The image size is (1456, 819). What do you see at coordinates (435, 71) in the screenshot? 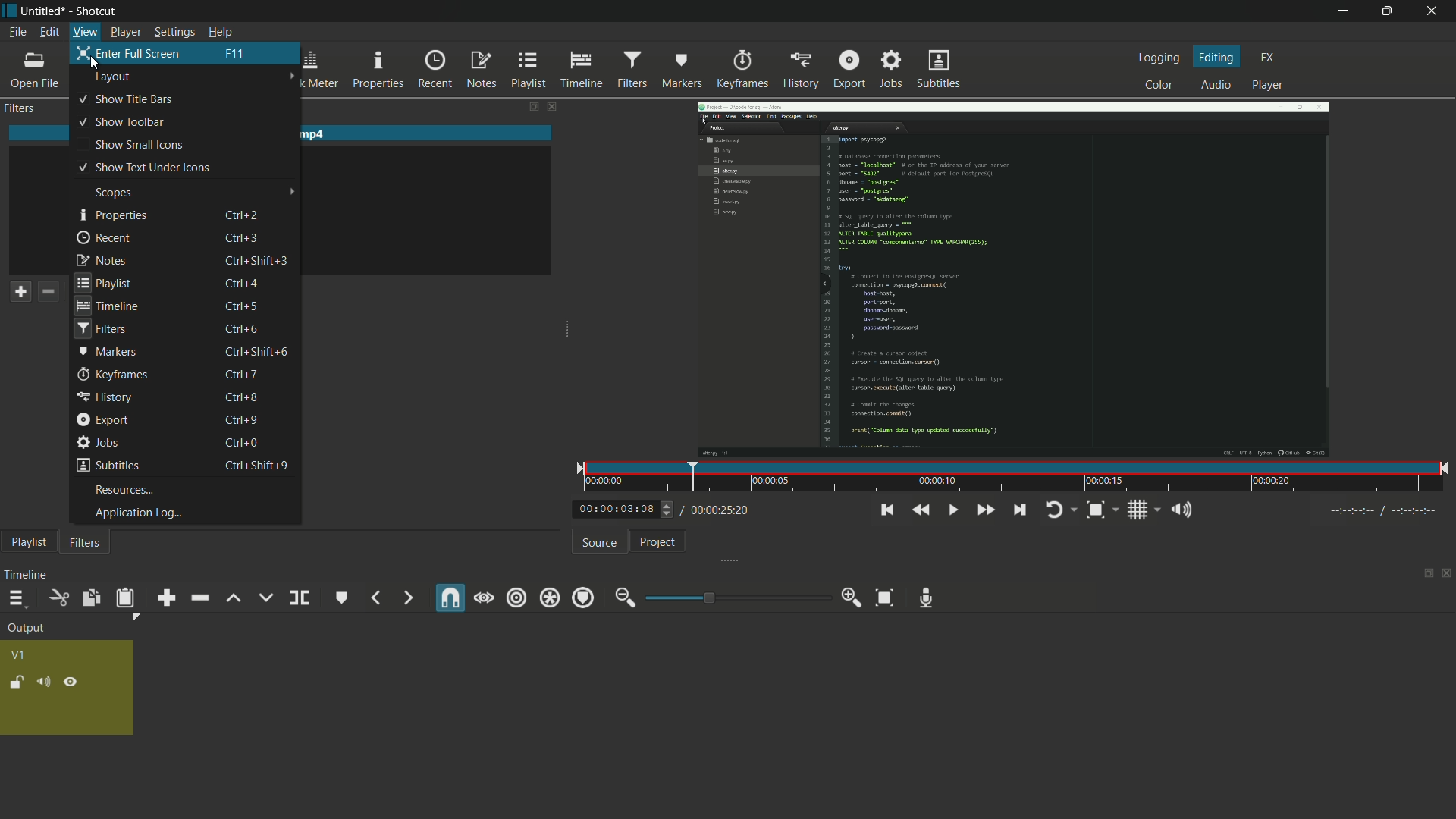
I see `recent` at bounding box center [435, 71].